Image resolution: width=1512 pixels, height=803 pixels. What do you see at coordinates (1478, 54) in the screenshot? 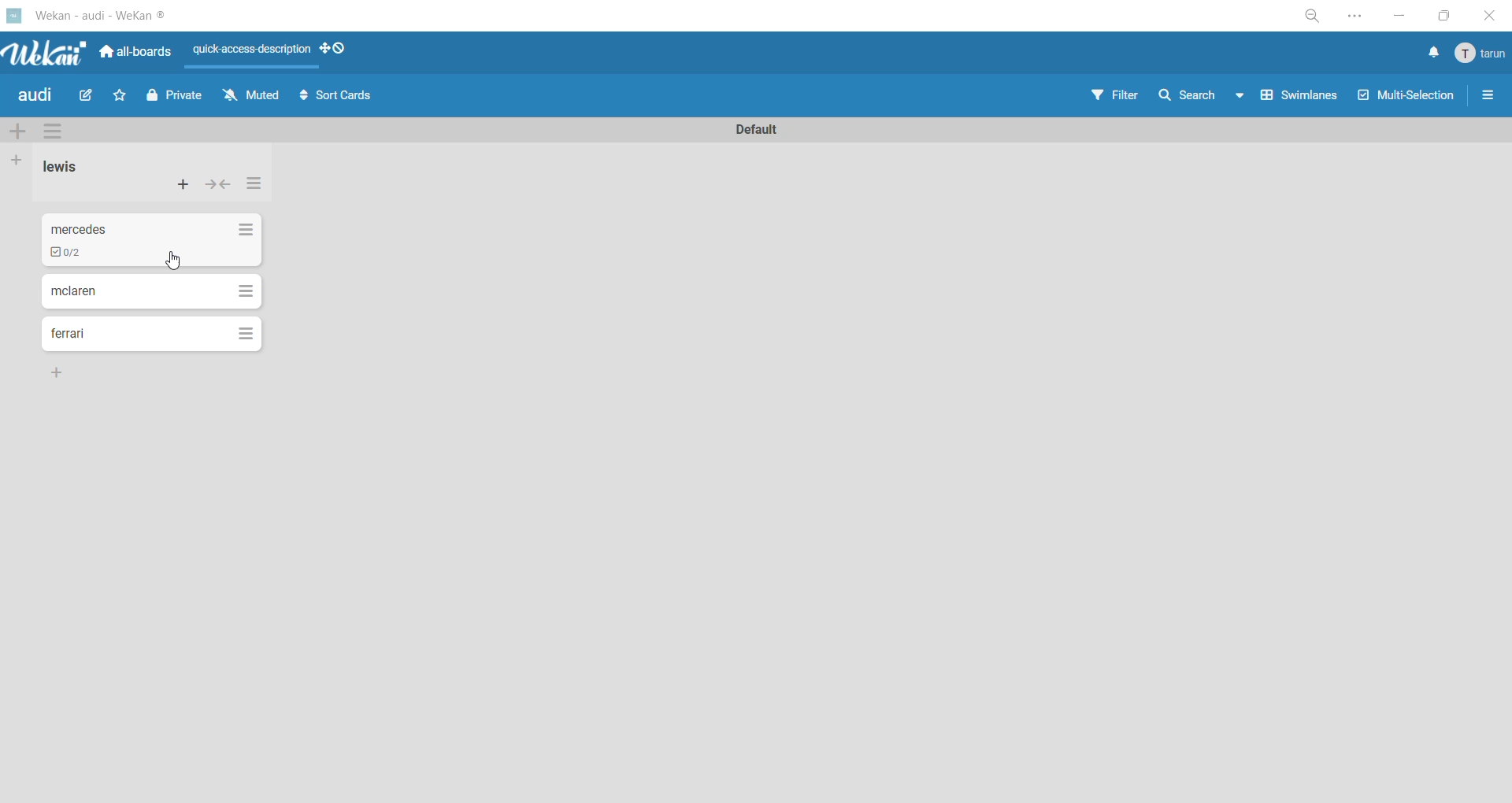
I see `menu` at bounding box center [1478, 54].